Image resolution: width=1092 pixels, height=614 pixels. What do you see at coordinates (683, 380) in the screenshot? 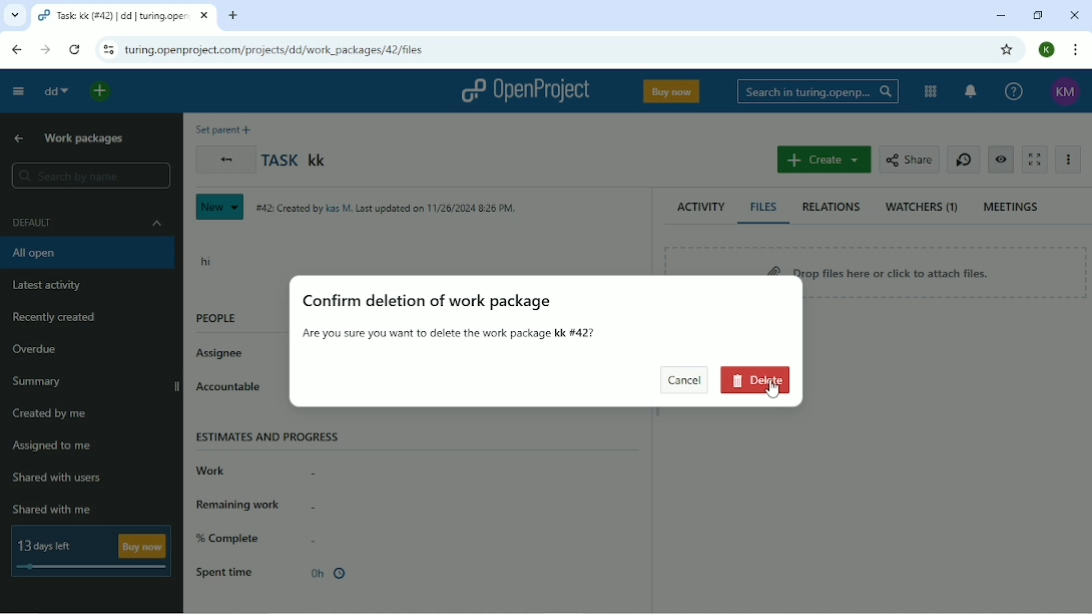
I see `Cancel` at bounding box center [683, 380].